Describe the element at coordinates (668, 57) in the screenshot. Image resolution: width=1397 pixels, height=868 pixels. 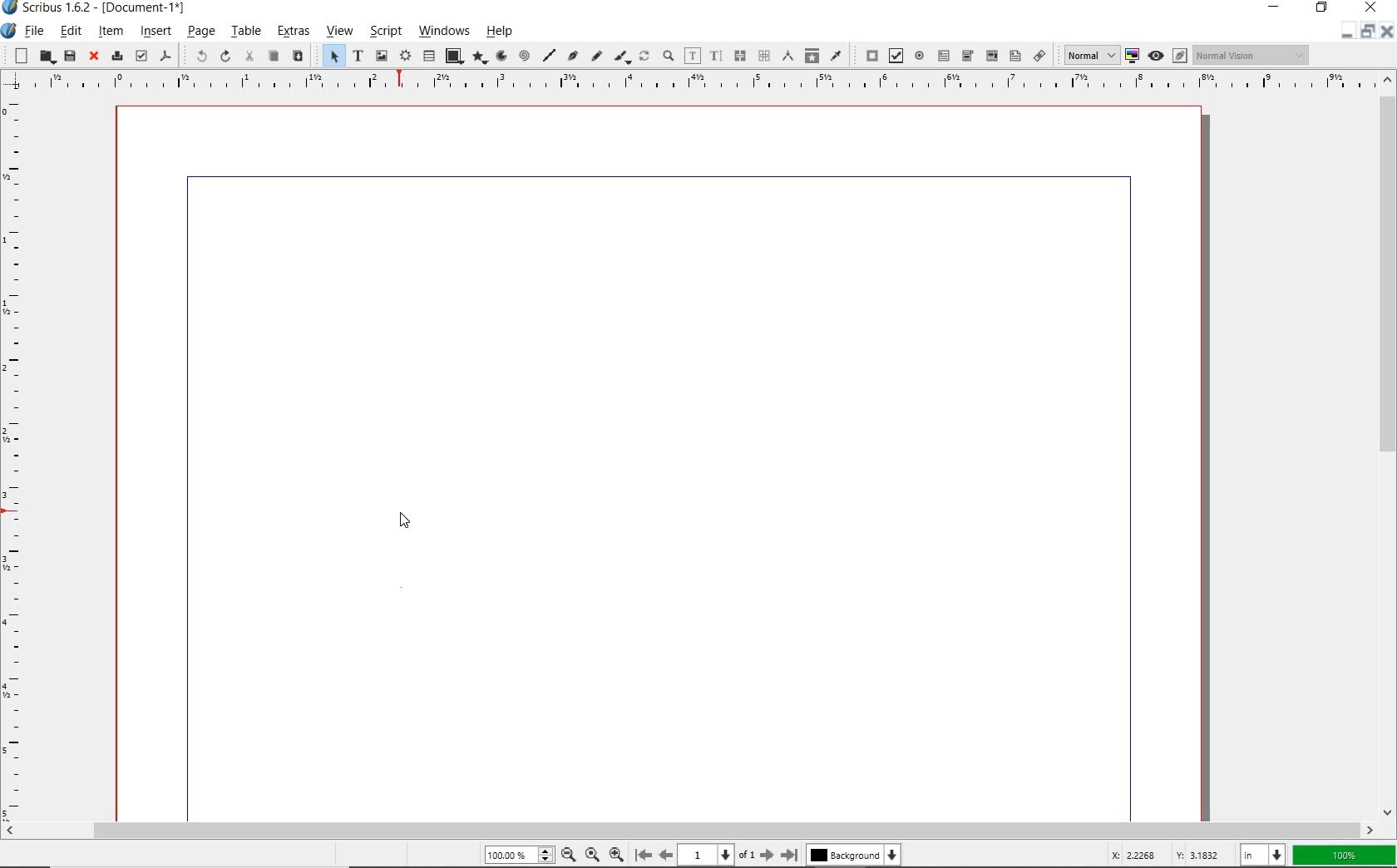
I see `zoom in or zoom out` at that location.